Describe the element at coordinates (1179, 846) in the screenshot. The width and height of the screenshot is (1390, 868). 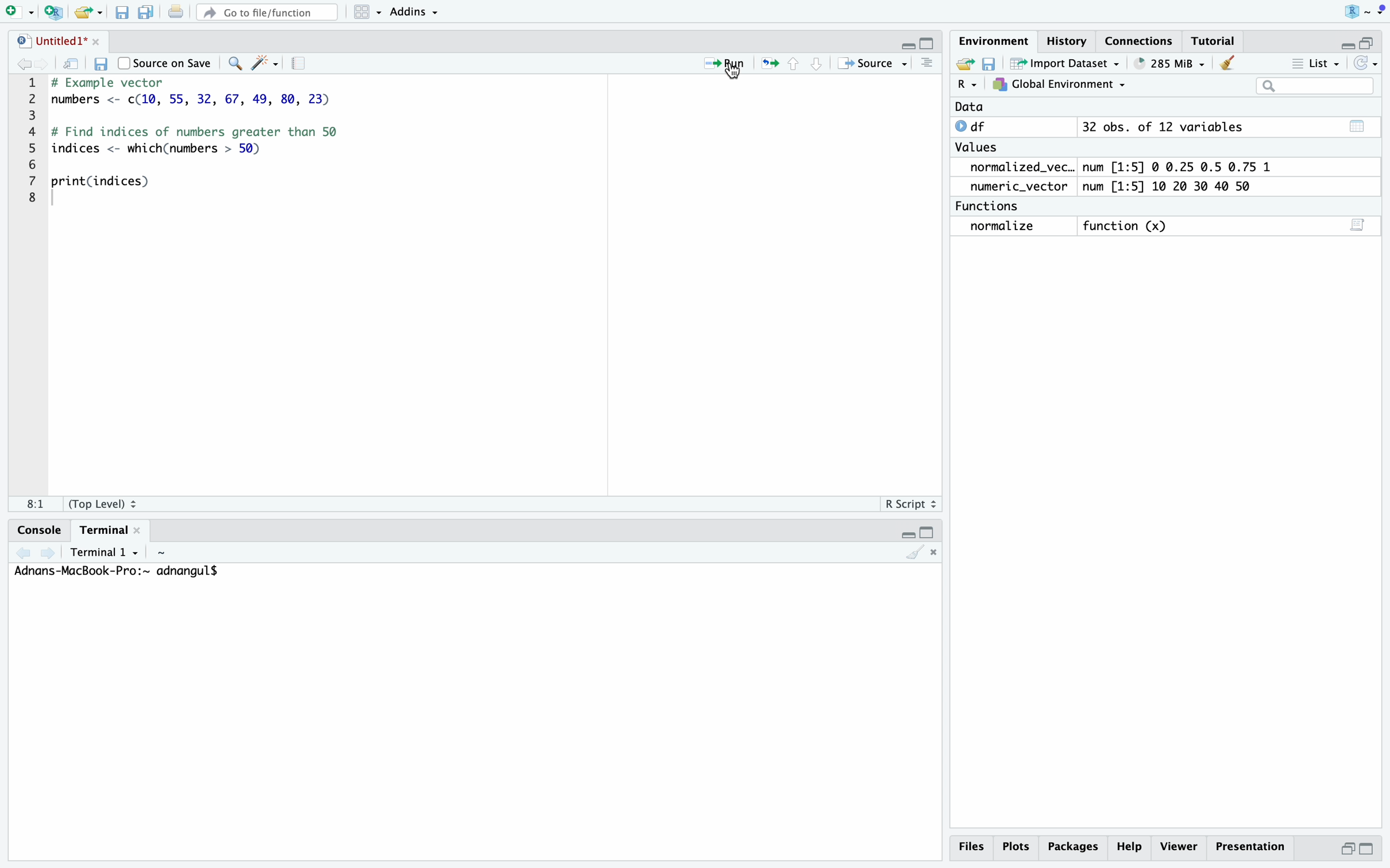
I see `viewer` at that location.